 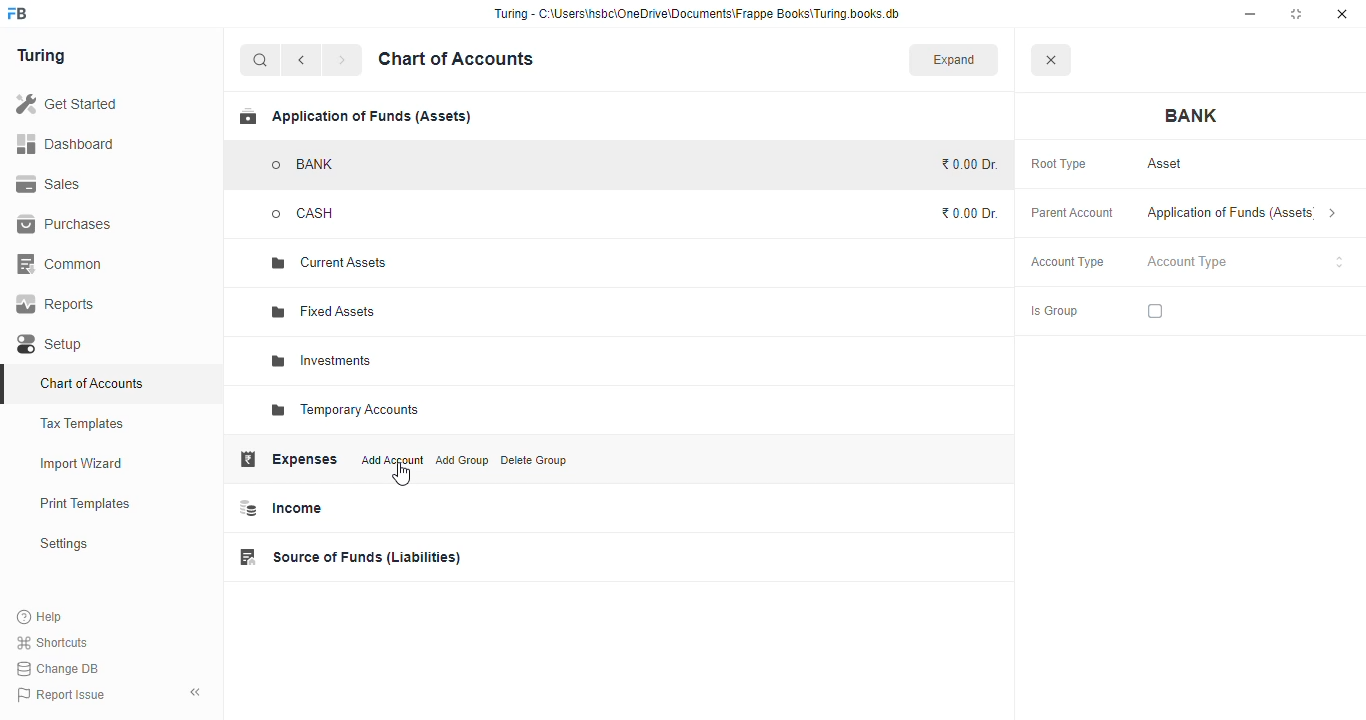 I want to click on chart of accounts, so click(x=456, y=59).